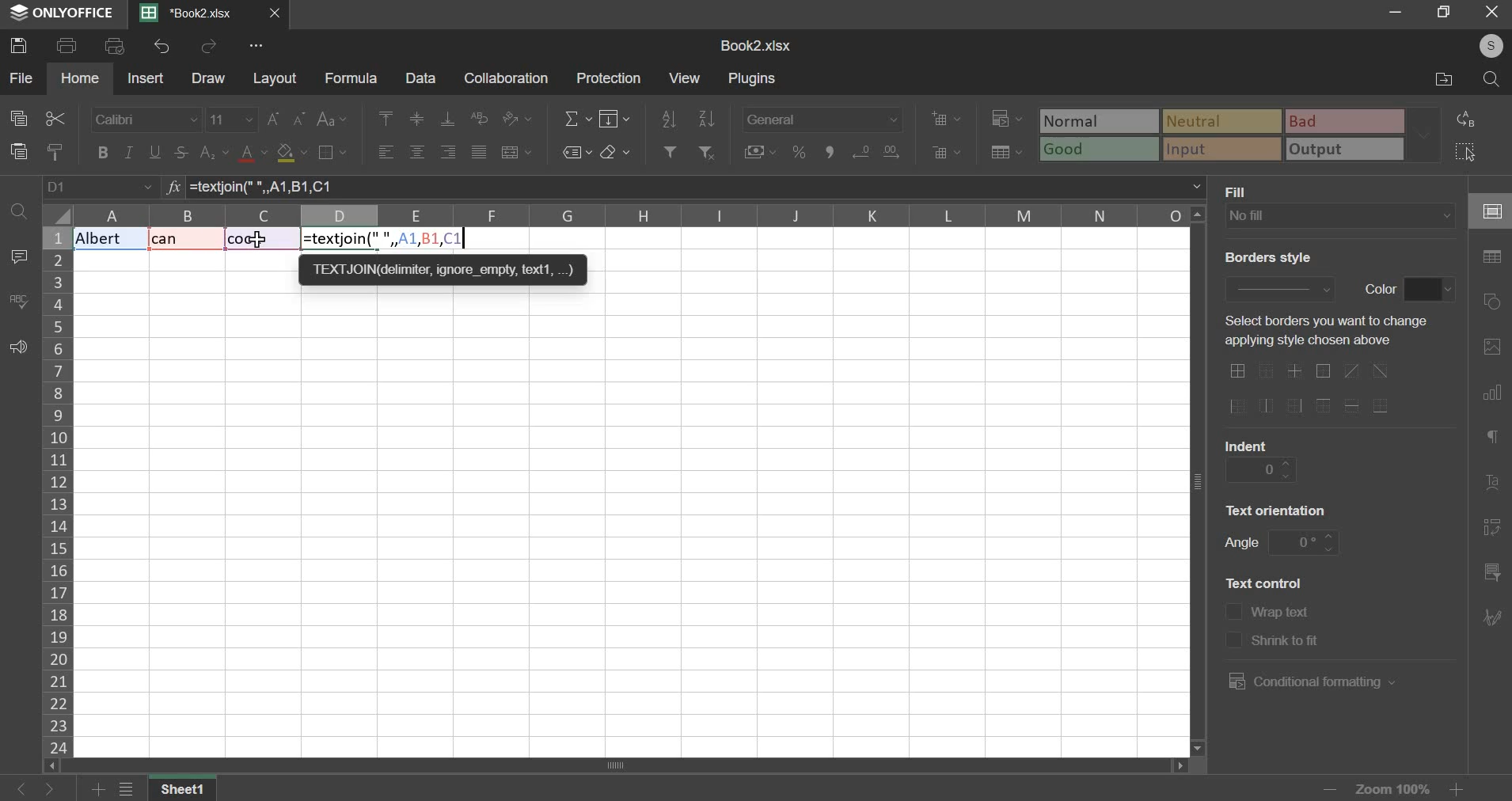 The height and width of the screenshot is (801, 1512). I want to click on view more, so click(258, 46).